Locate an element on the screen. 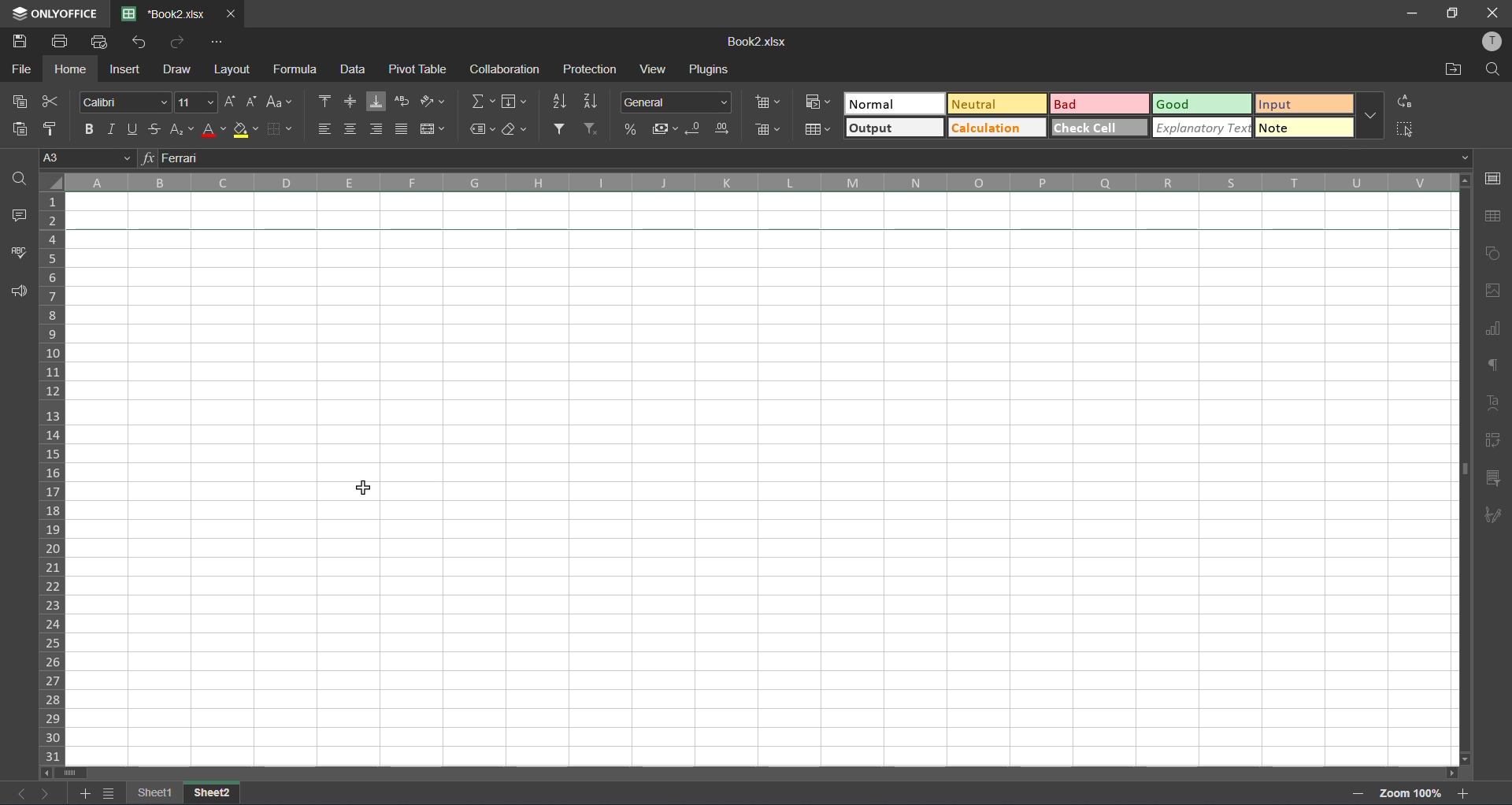  file name is located at coordinates (759, 42).